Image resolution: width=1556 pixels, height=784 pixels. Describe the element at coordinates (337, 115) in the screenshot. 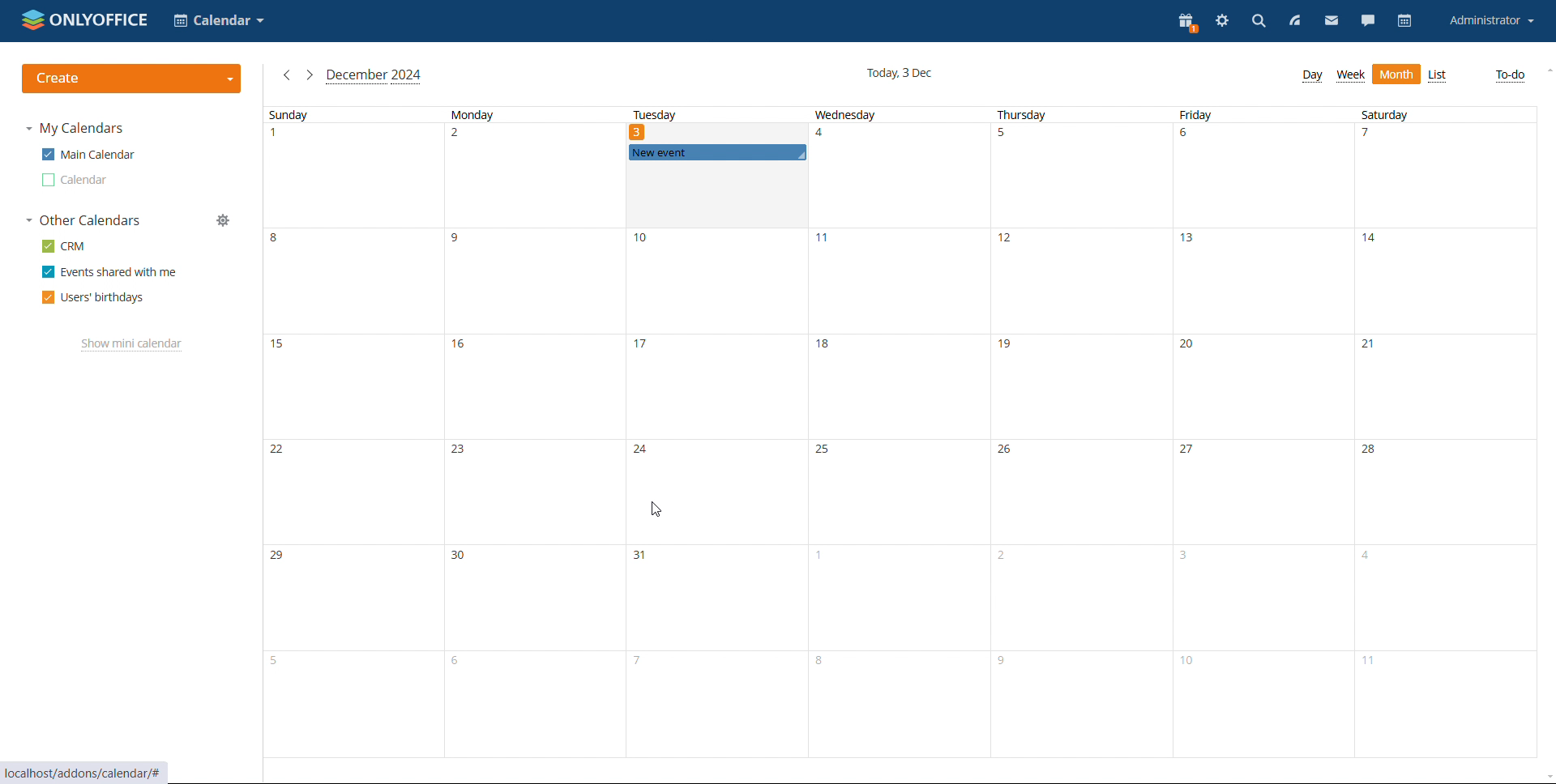

I see `sunday` at that location.